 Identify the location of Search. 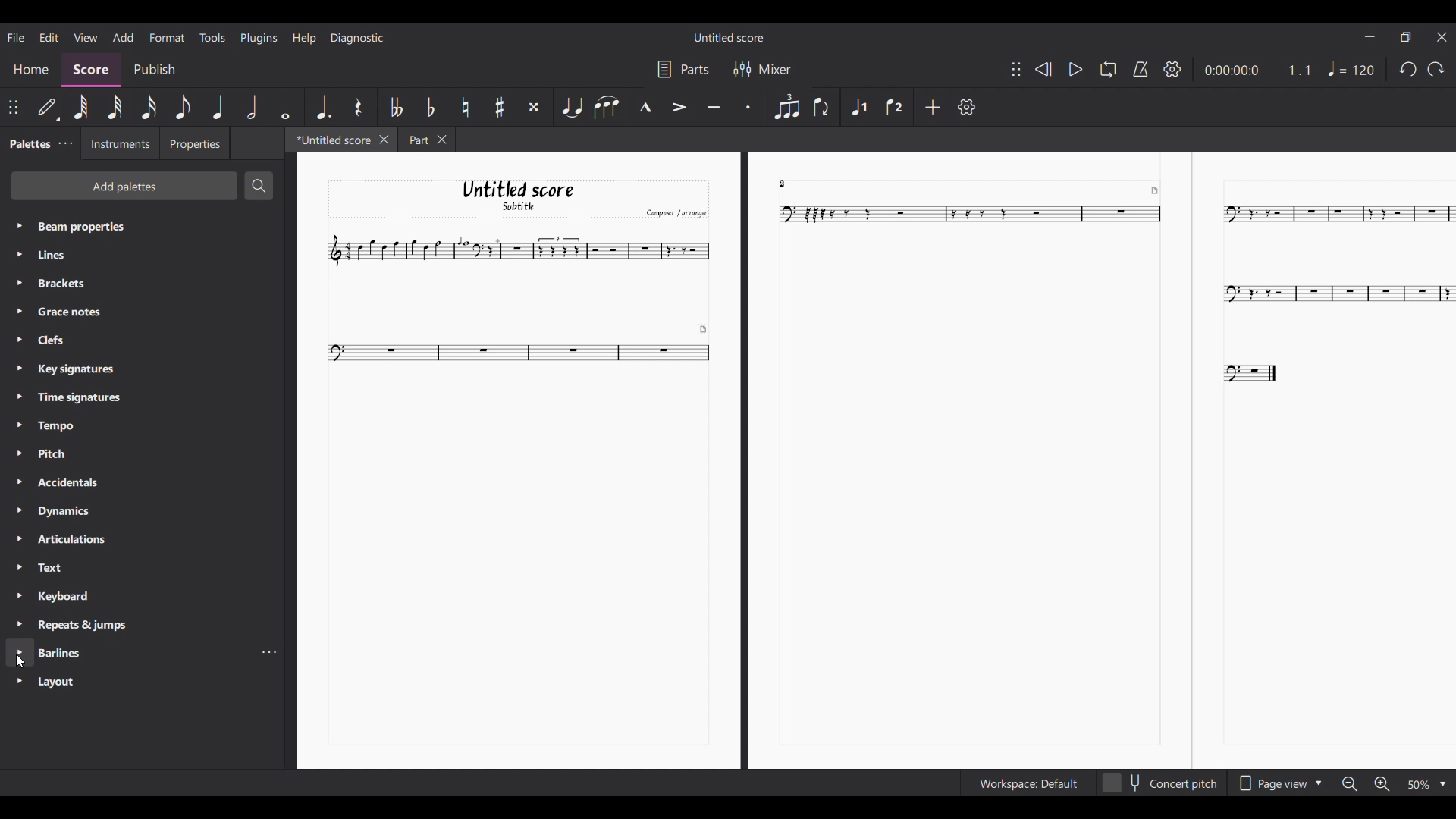
(259, 185).